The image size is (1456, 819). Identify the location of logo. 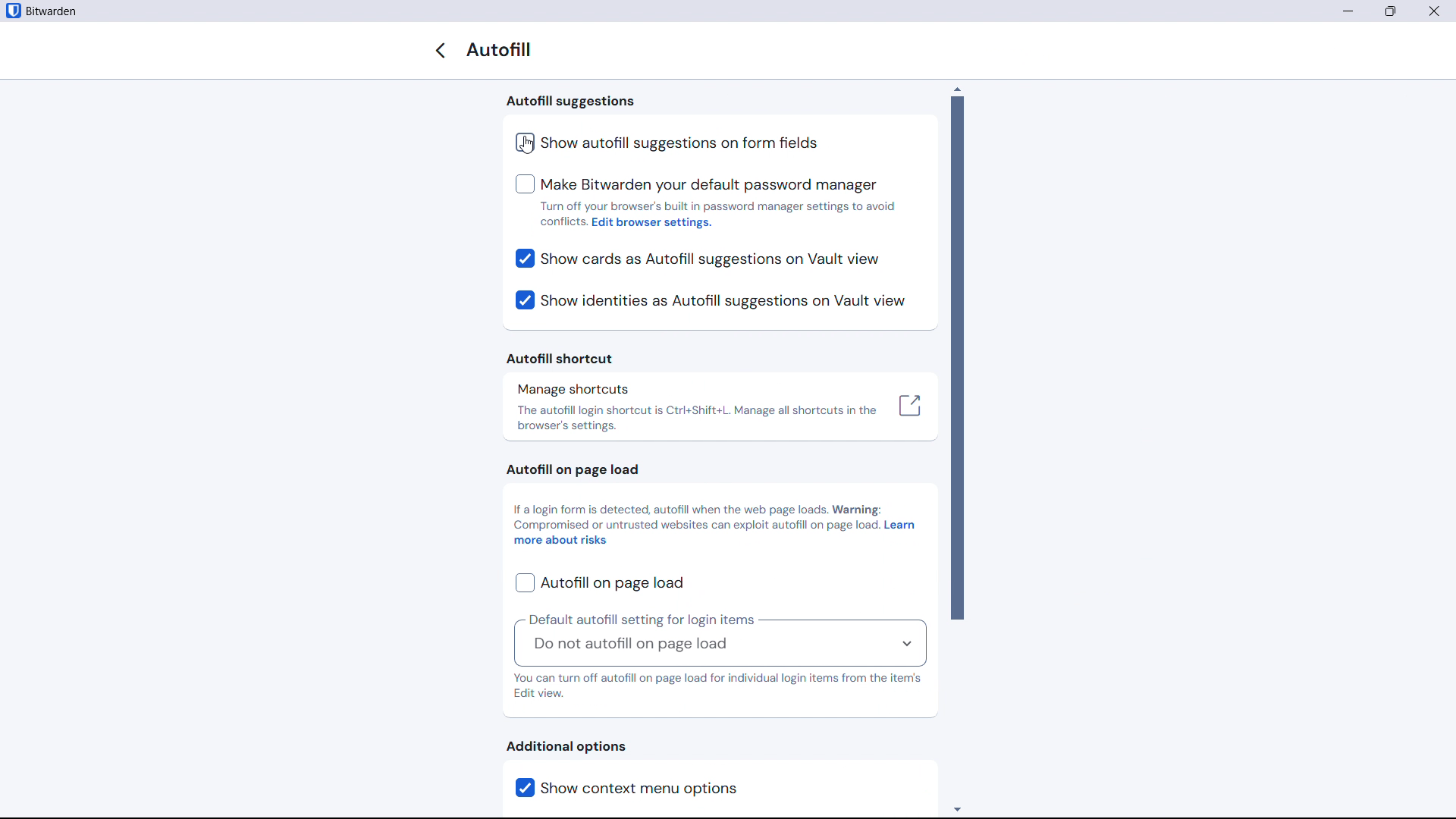
(12, 11).